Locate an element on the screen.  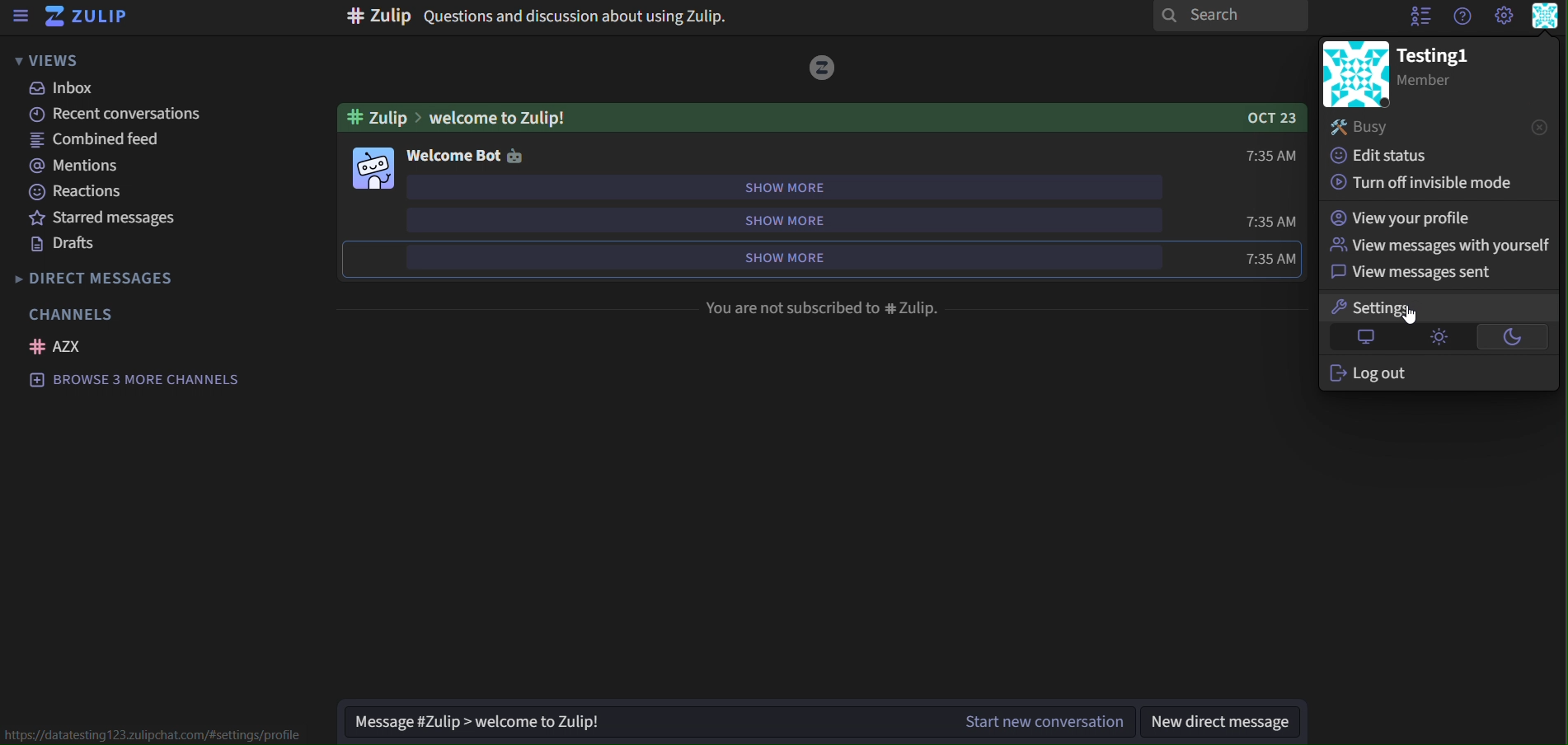
channels is located at coordinates (73, 315).